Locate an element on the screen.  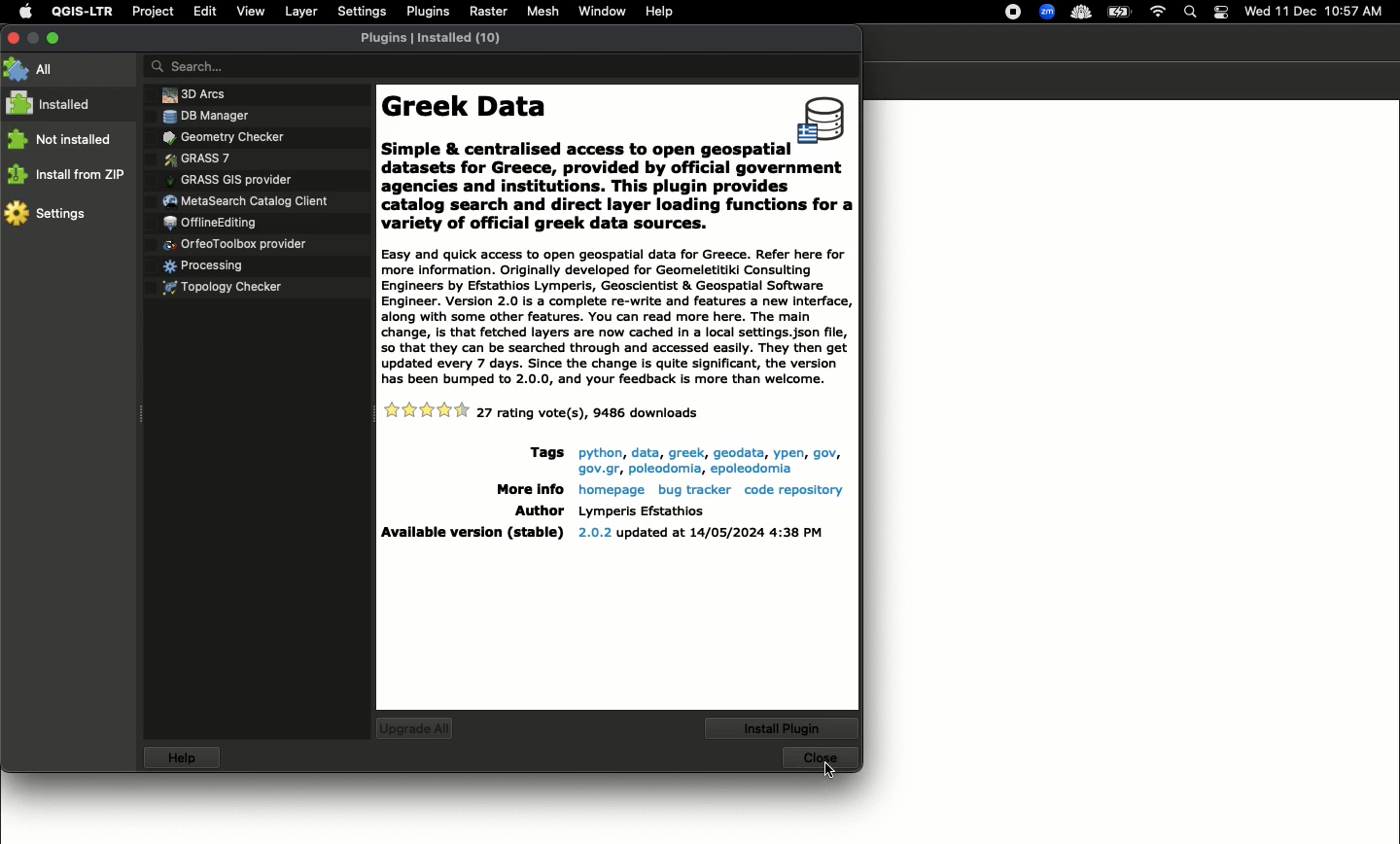
Install from zip is located at coordinates (67, 173).